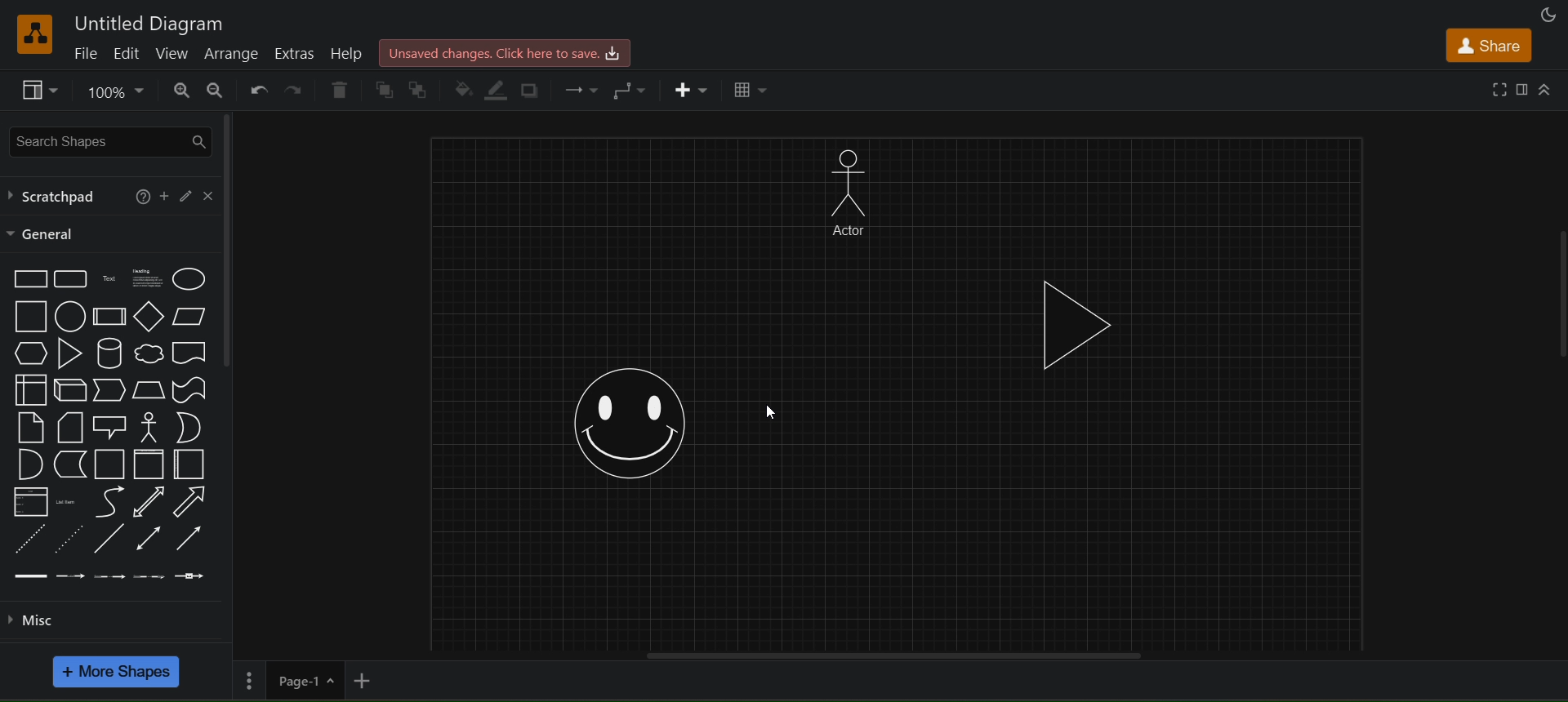 The image size is (1568, 702). What do you see at coordinates (628, 419) in the screenshot?
I see `smiley shape` at bounding box center [628, 419].